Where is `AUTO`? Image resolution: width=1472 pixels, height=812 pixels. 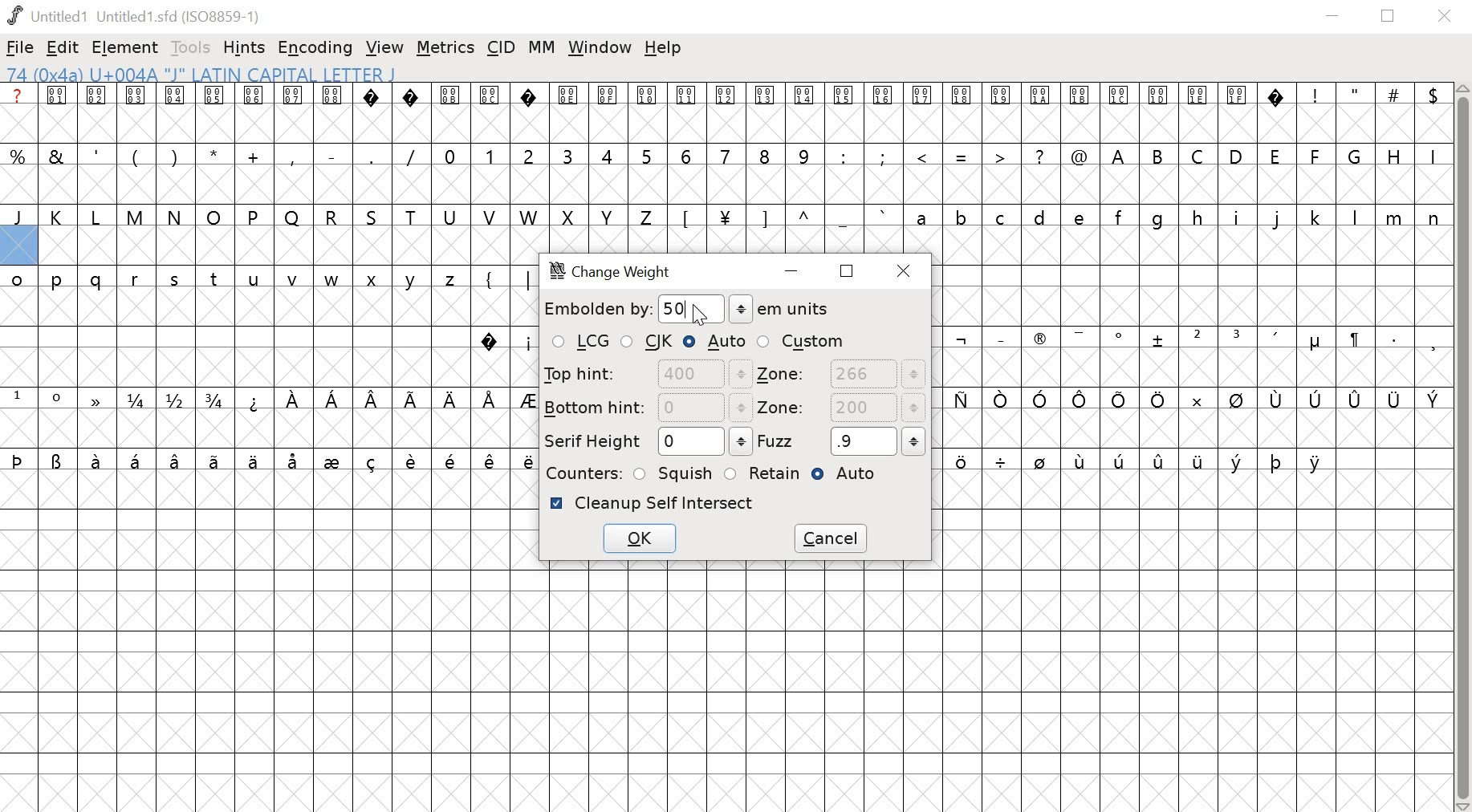 AUTO is located at coordinates (716, 341).